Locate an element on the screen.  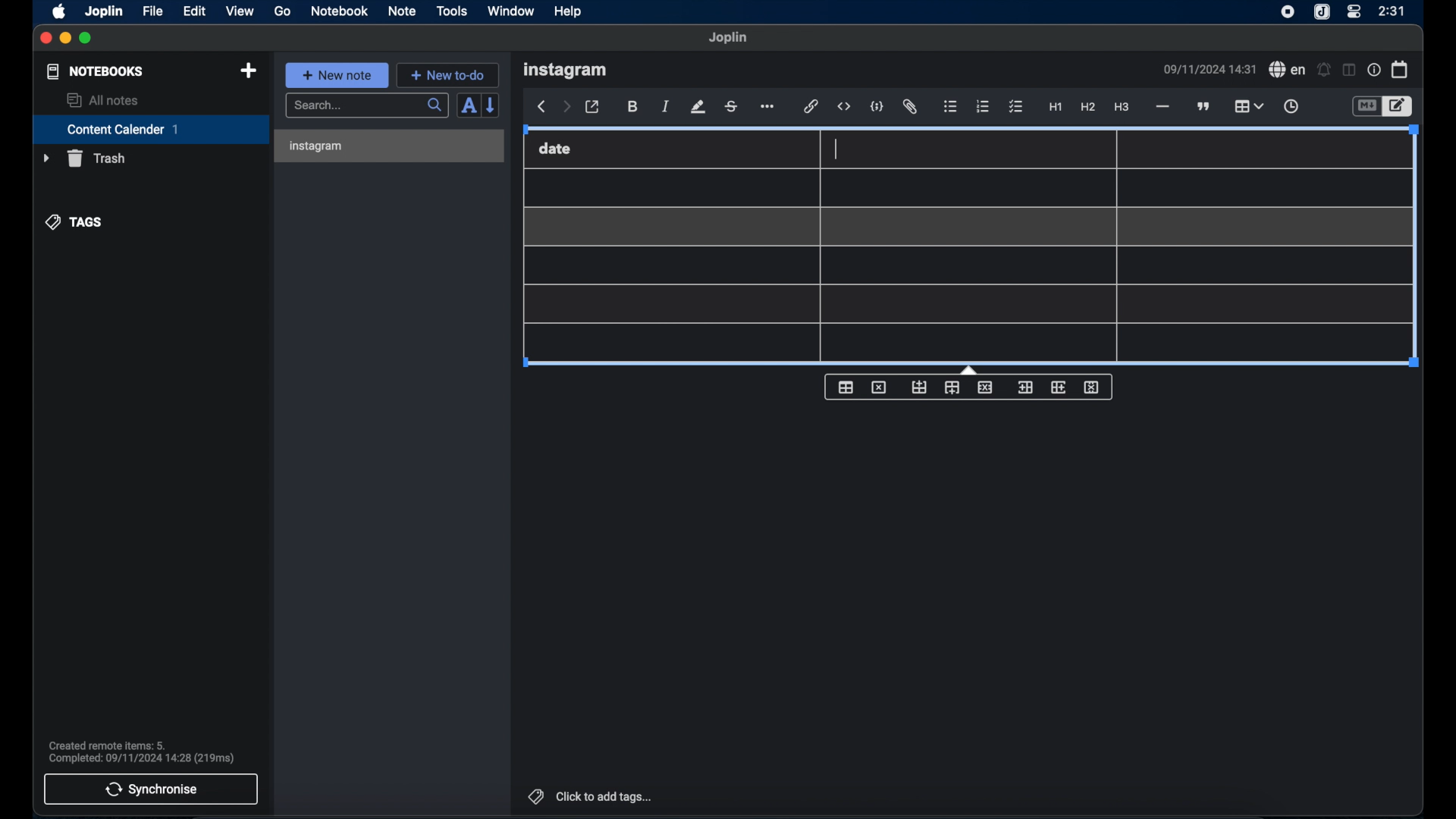
minimize is located at coordinates (64, 39).